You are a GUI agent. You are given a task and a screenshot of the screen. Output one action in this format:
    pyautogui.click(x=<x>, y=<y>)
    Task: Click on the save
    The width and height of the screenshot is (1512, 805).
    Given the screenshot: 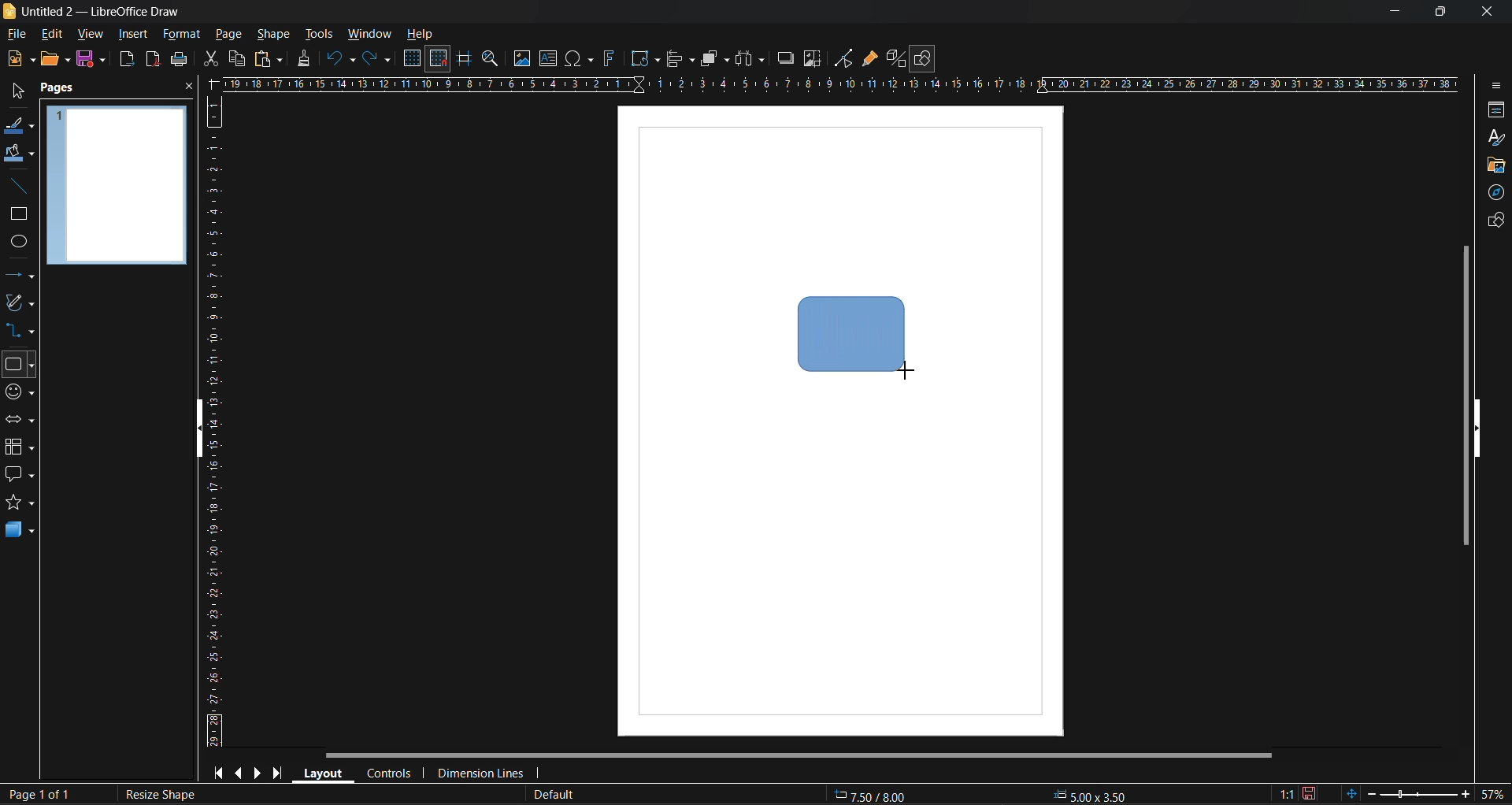 What is the action you would take?
    pyautogui.click(x=180, y=59)
    